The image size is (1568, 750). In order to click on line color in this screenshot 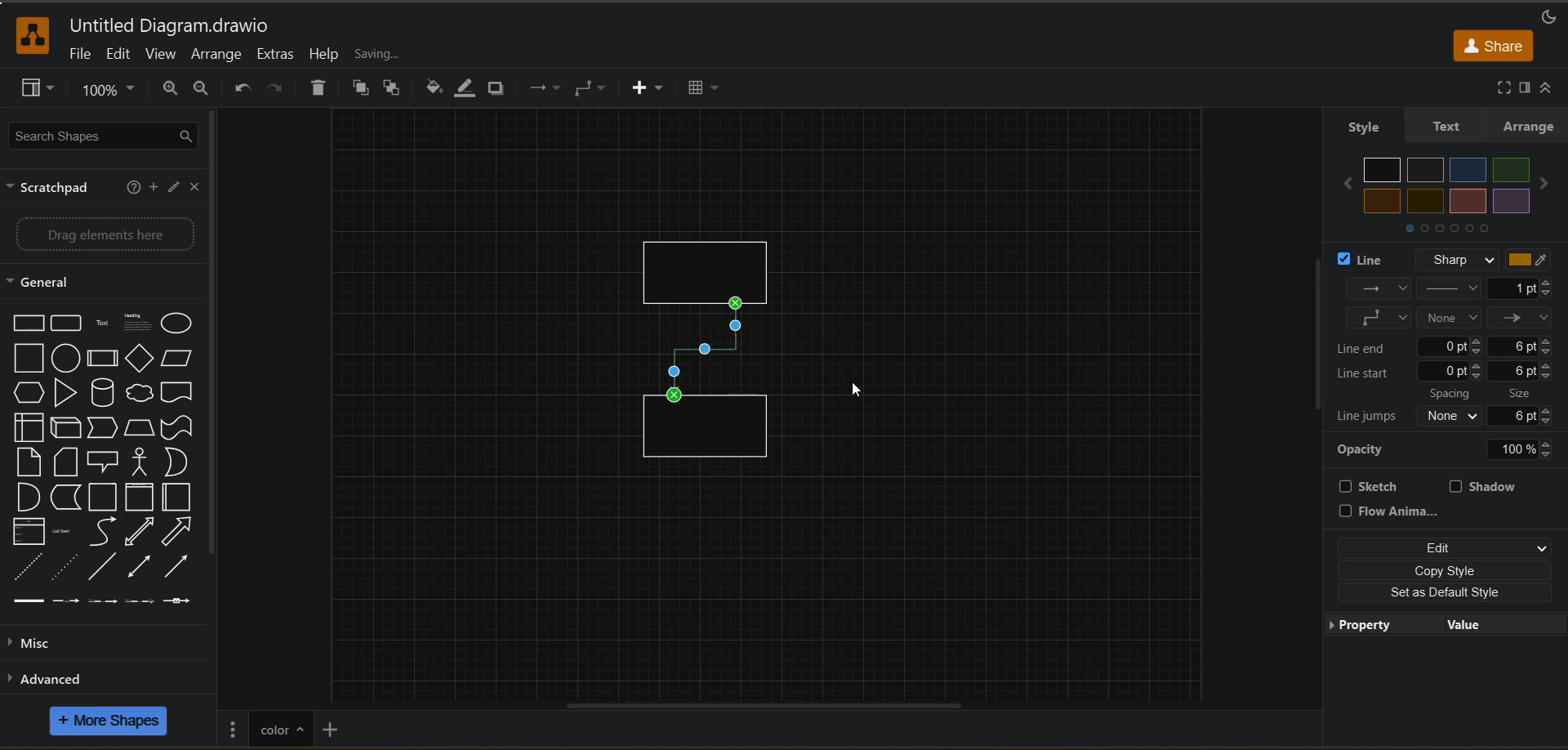, I will do `click(468, 88)`.